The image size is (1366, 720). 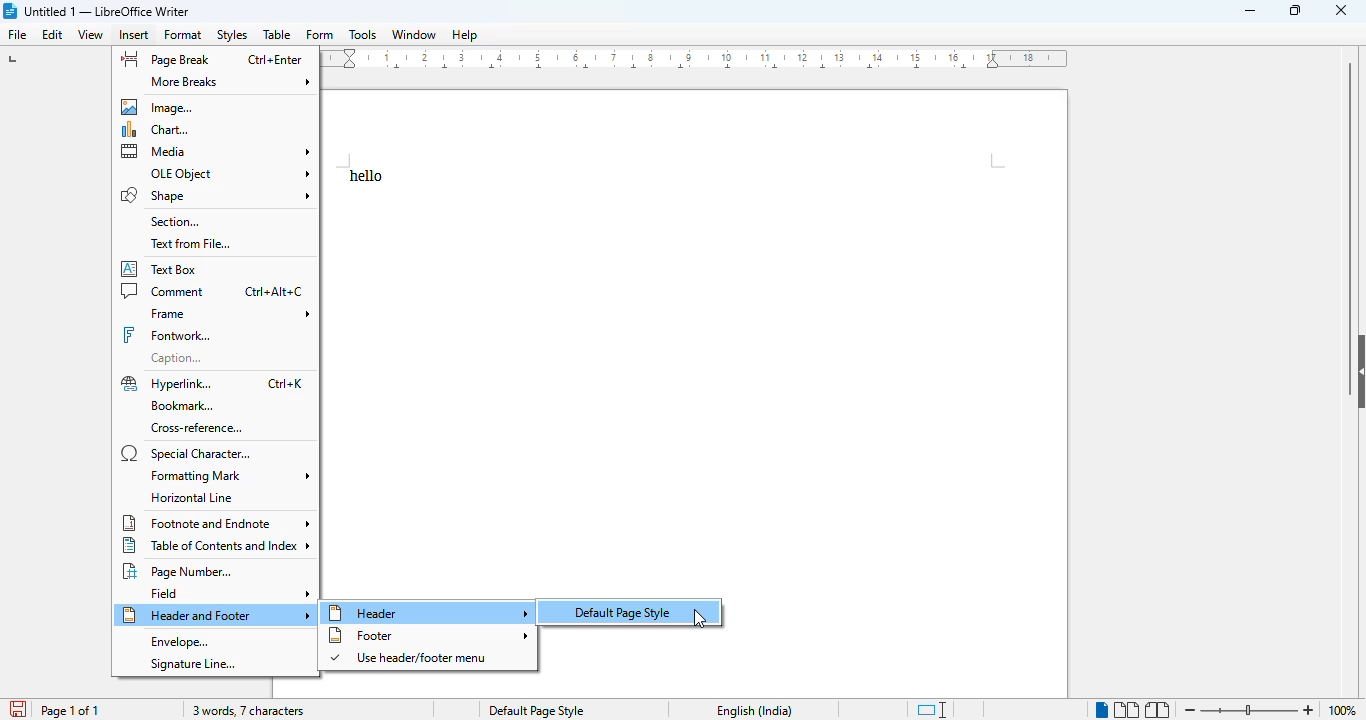 What do you see at coordinates (320, 34) in the screenshot?
I see `form` at bounding box center [320, 34].